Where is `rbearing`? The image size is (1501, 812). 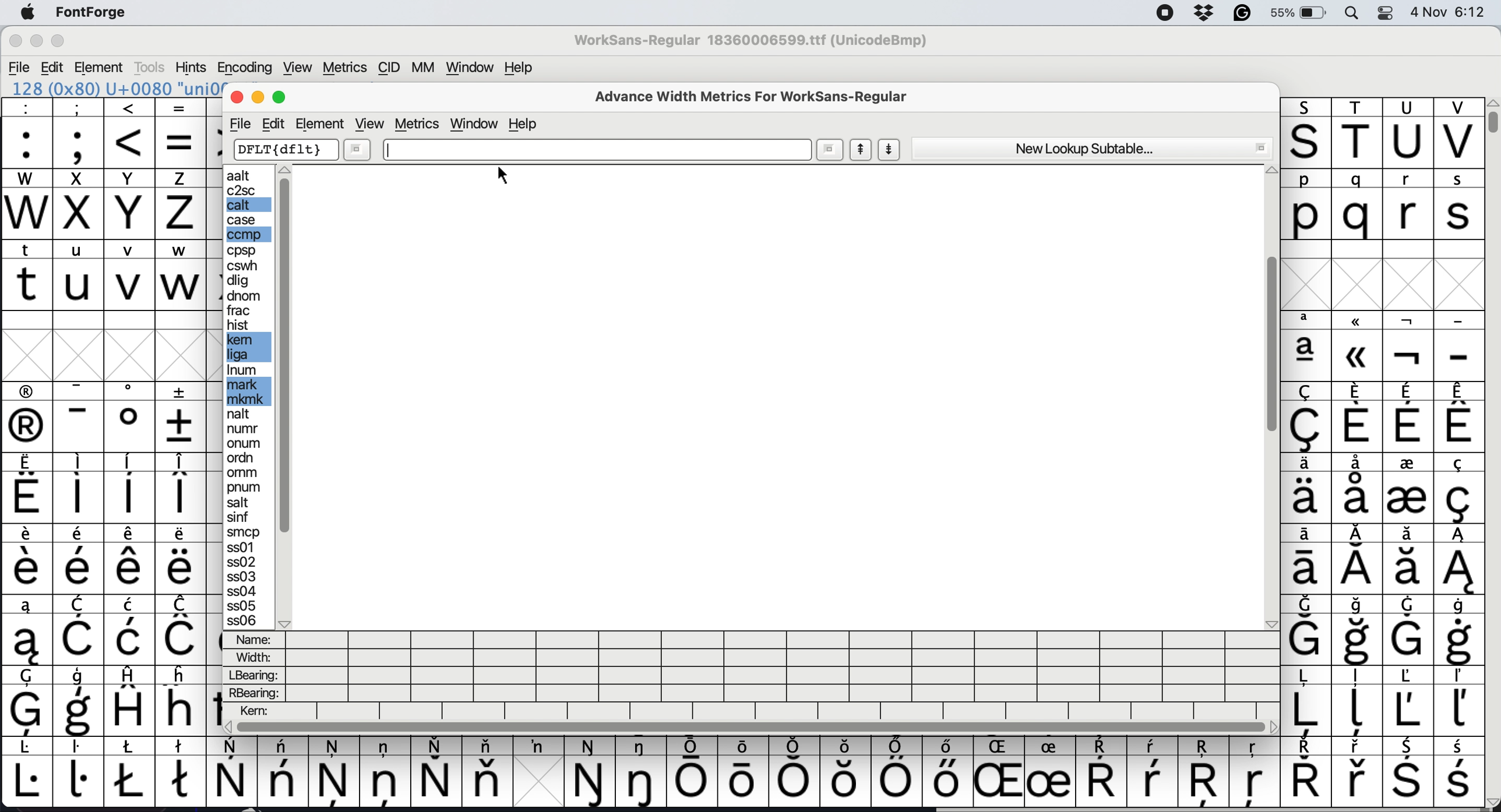
rbearing is located at coordinates (254, 693).